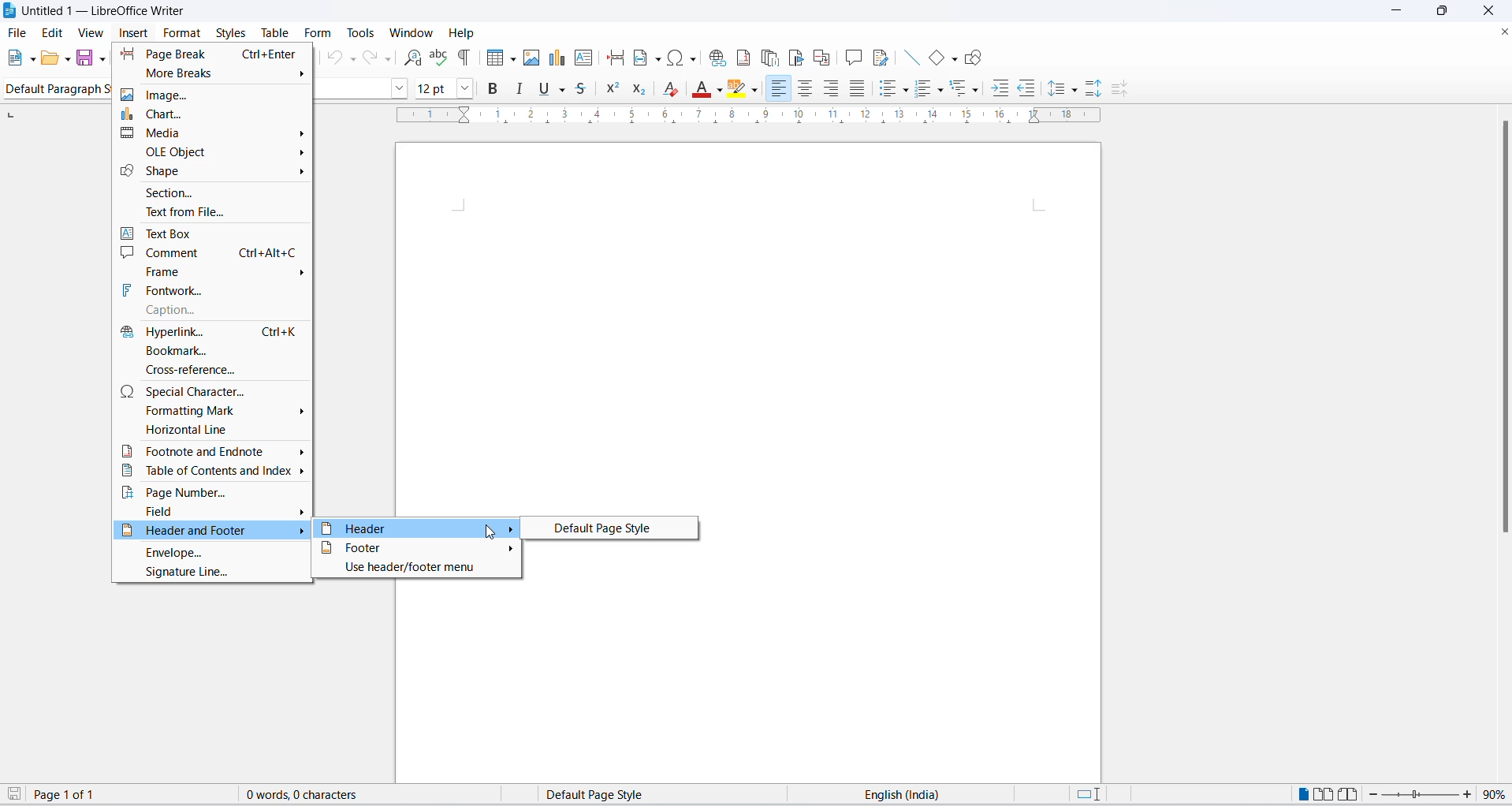  What do you see at coordinates (210, 191) in the screenshot?
I see `SECTION` at bounding box center [210, 191].